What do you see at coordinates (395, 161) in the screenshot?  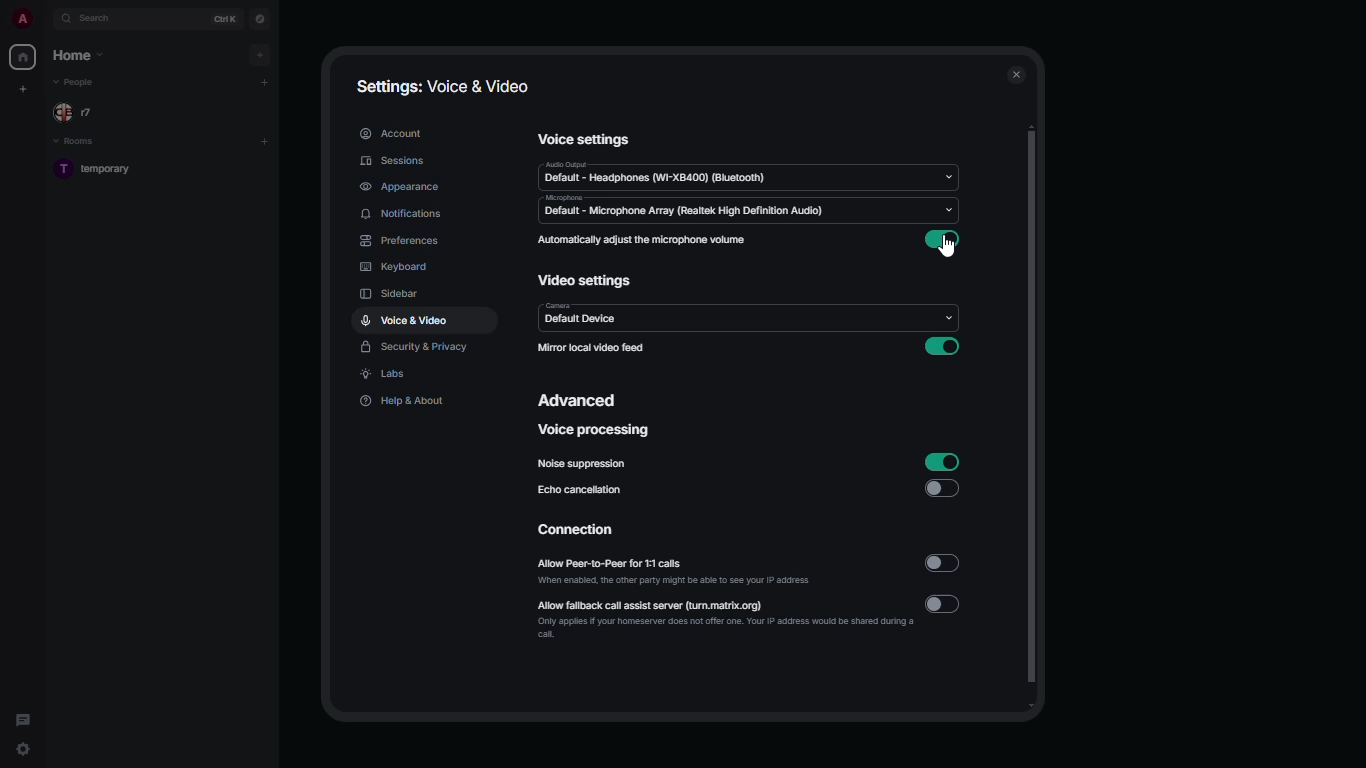 I see `sessions` at bounding box center [395, 161].